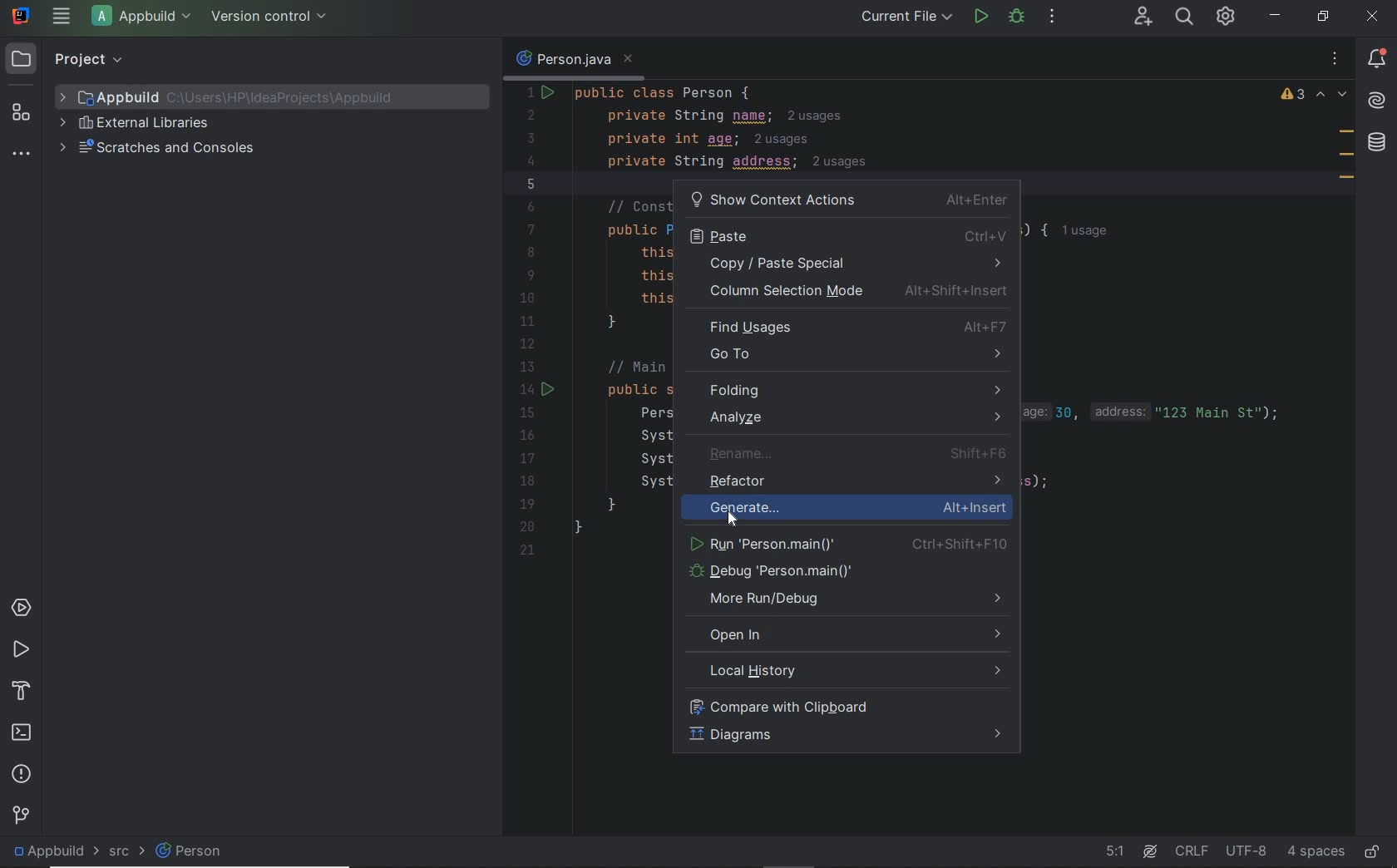 This screenshot has width=1397, height=868. I want to click on show context actions, so click(850, 199).